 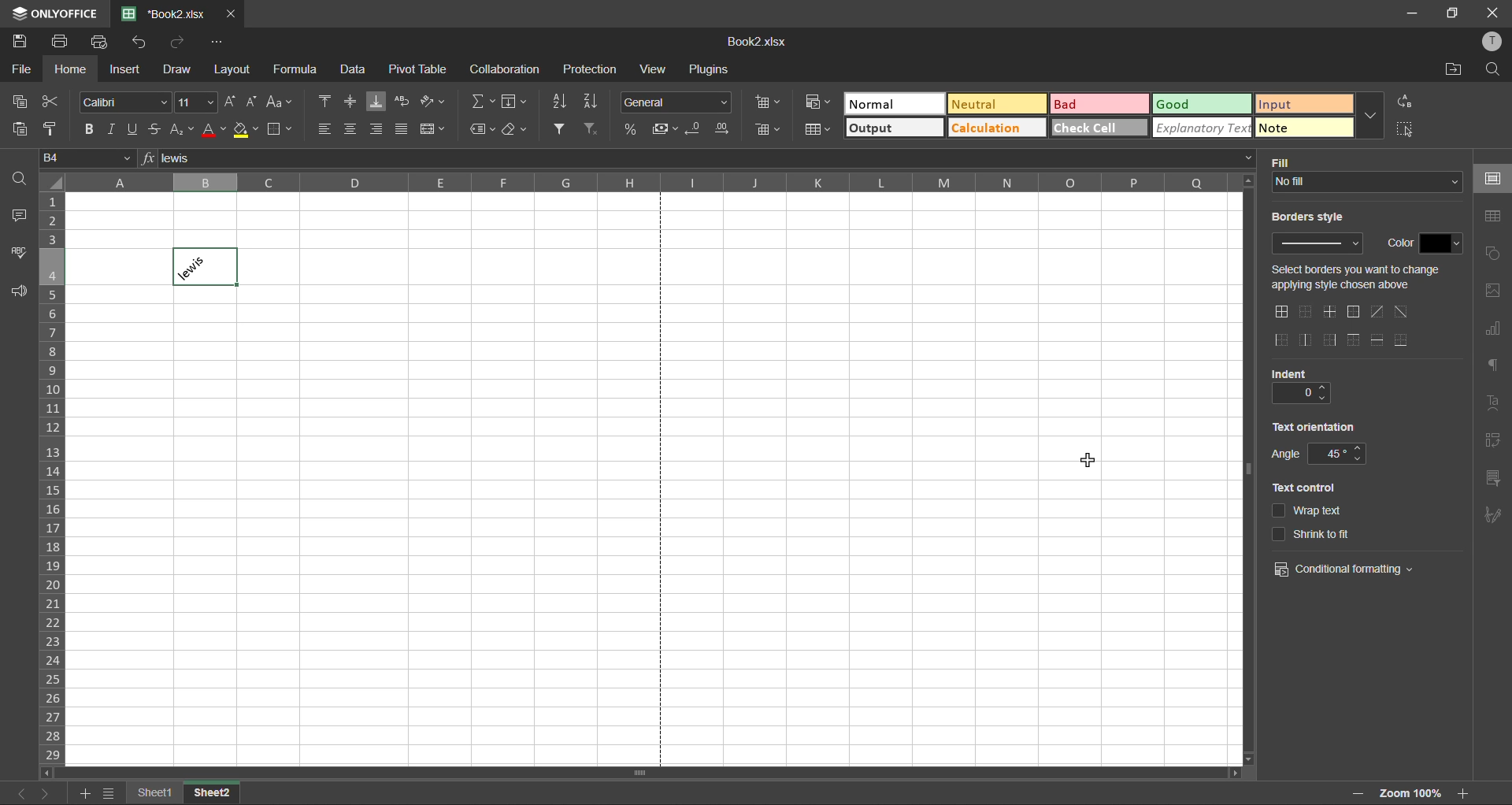 I want to click on bad, so click(x=1096, y=103).